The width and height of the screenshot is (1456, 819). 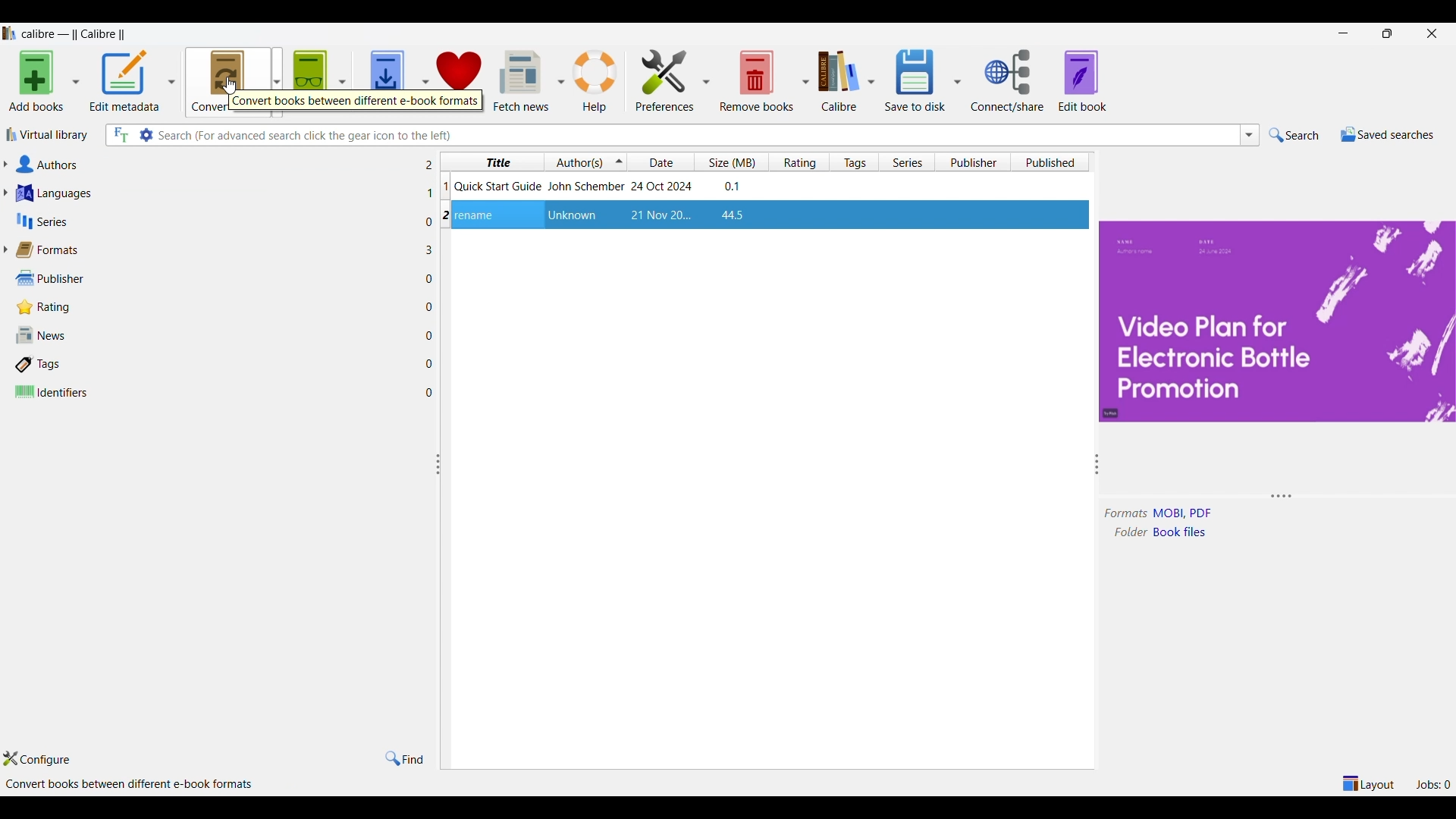 What do you see at coordinates (915, 81) in the screenshot?
I see `Save to disk` at bounding box center [915, 81].